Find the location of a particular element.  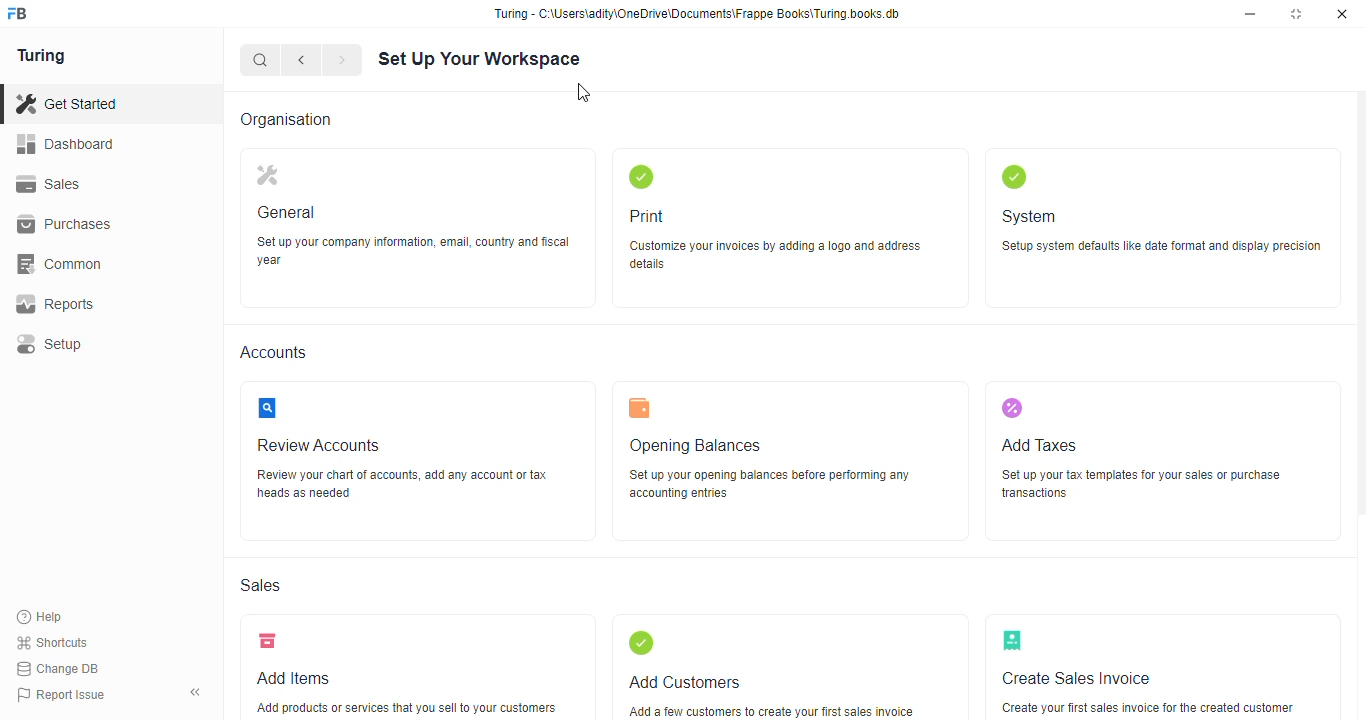

Turing - C-\Users\adity\OneDrive\Documents\Frappe Books\Turing.books.db is located at coordinates (698, 12).